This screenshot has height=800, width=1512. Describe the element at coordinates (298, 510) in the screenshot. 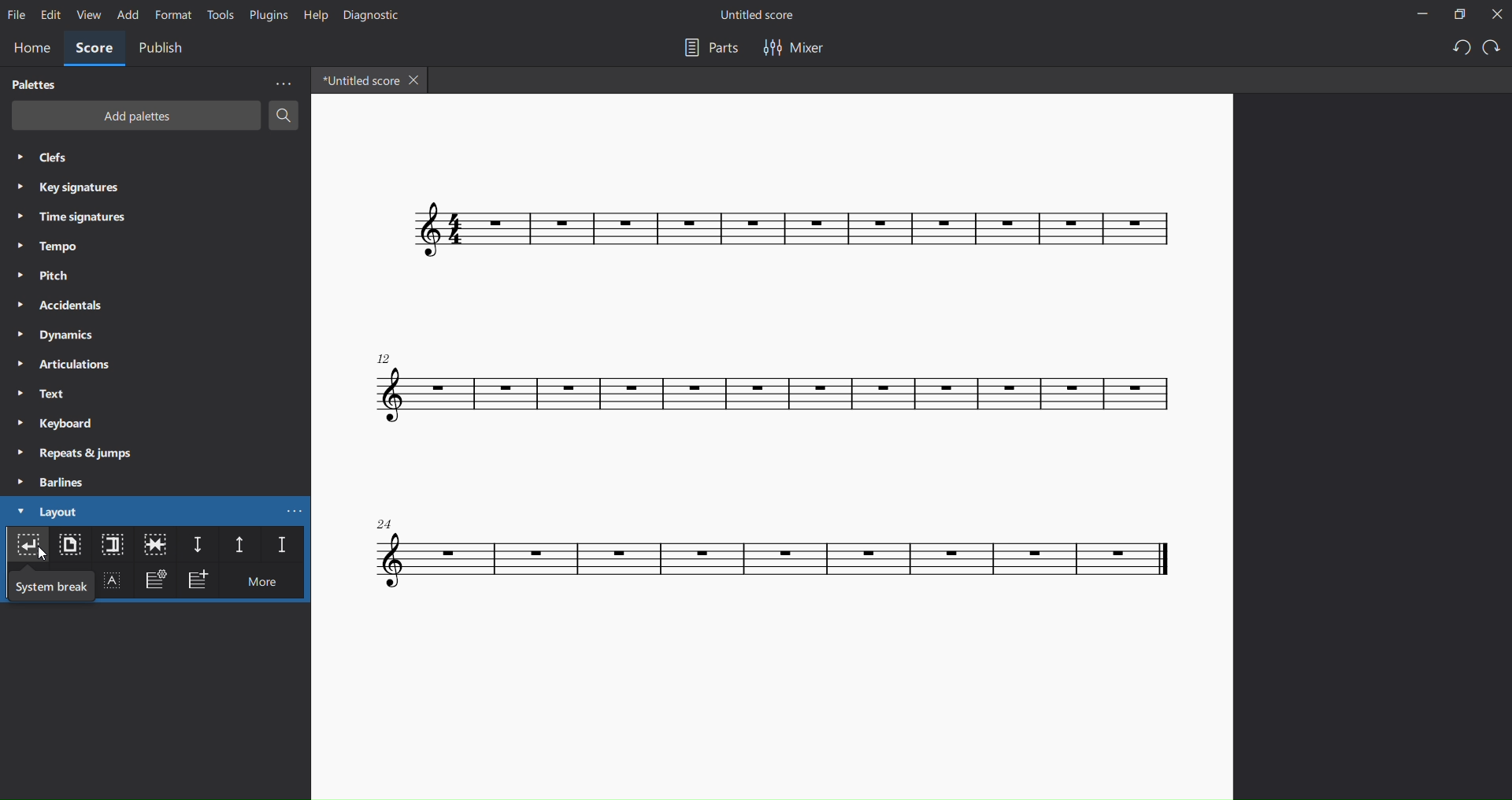

I see `more layout options` at that location.